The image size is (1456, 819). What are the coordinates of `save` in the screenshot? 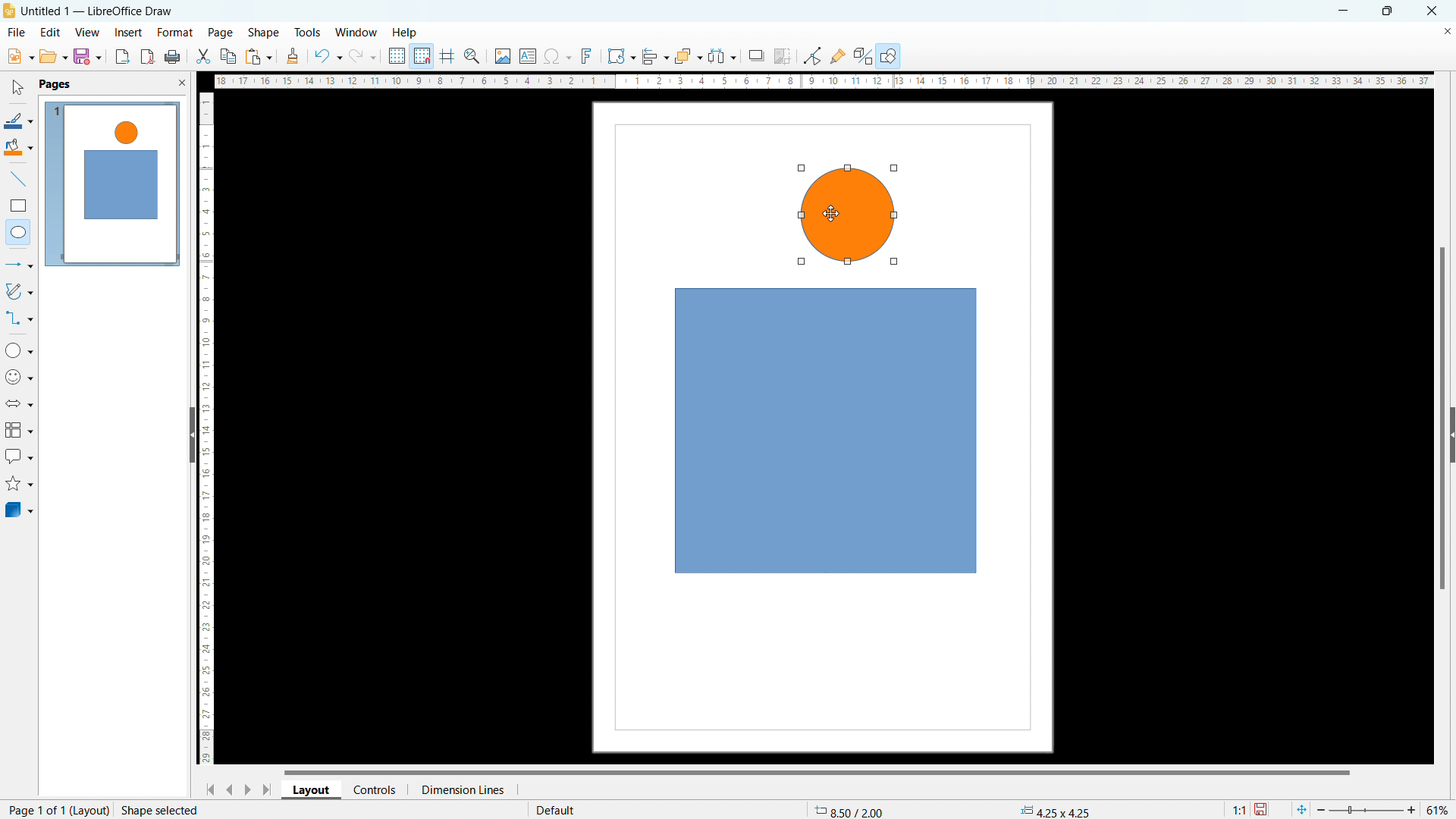 It's located at (87, 56).